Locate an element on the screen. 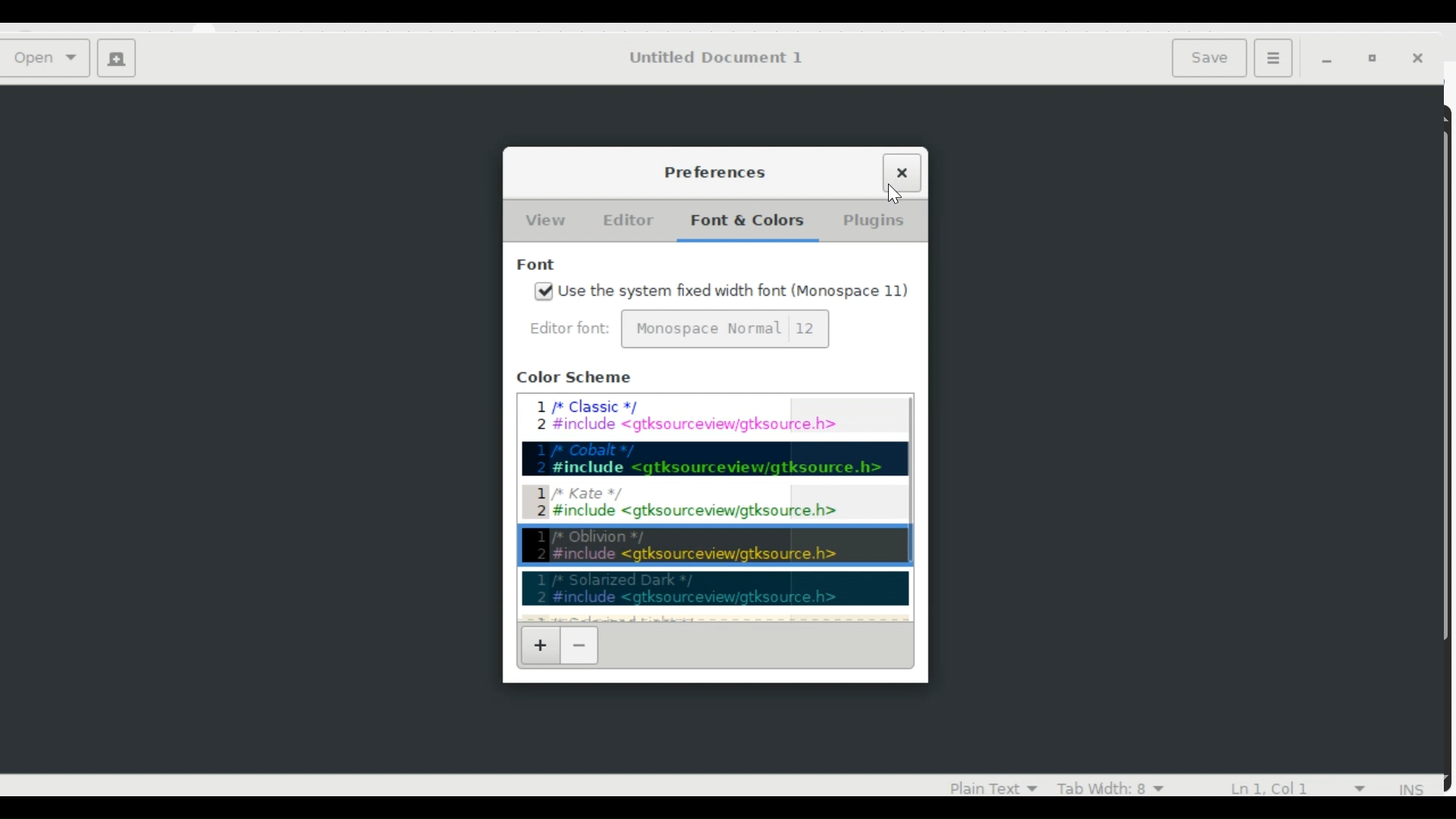  checked checkbox is located at coordinates (544, 291).